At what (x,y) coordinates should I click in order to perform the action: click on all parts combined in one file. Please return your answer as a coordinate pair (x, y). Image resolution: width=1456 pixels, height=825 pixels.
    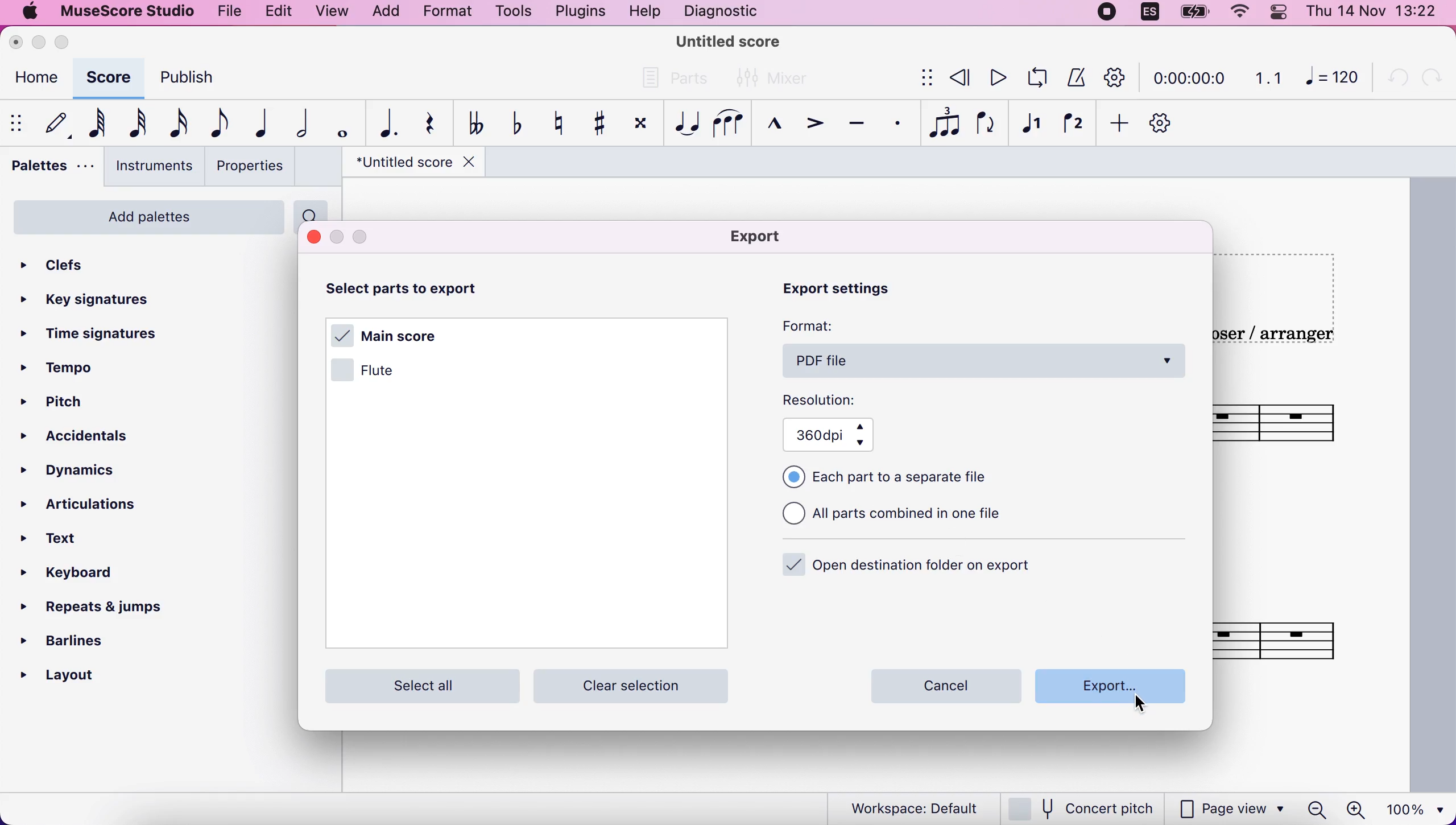
    Looking at the image, I should click on (913, 518).